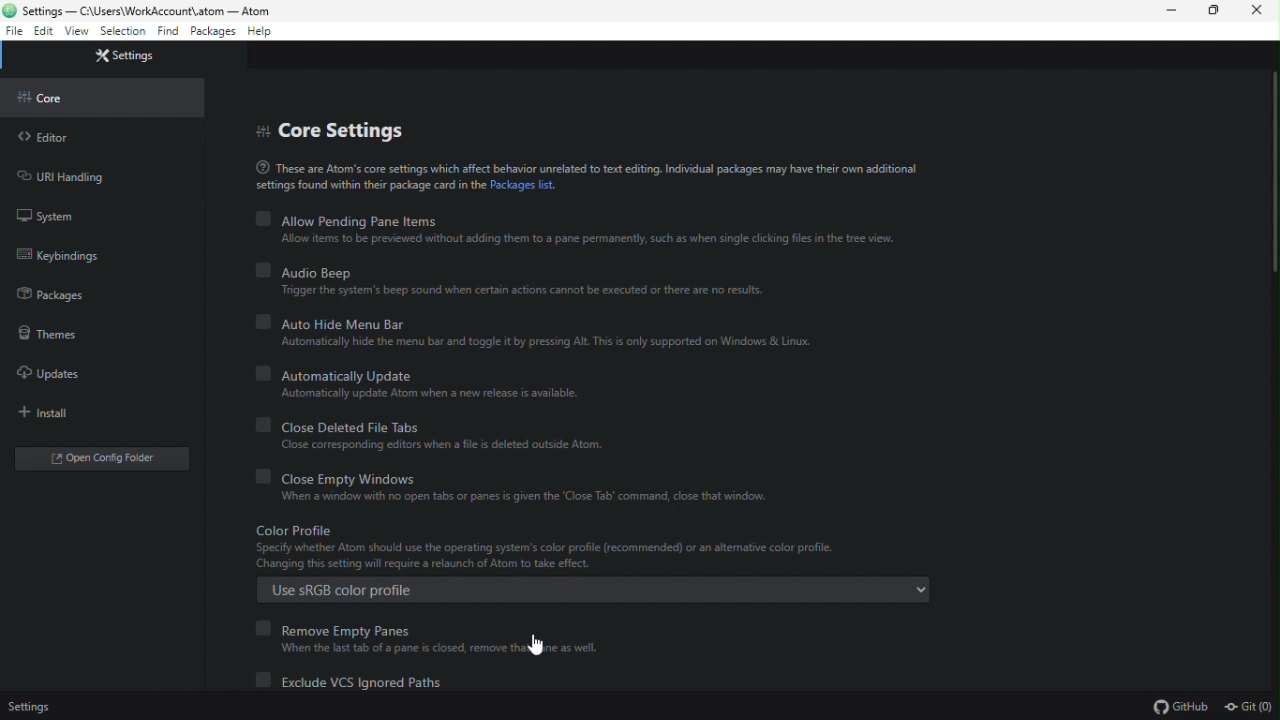  Describe the element at coordinates (585, 175) in the screenshot. I see `text` at that location.